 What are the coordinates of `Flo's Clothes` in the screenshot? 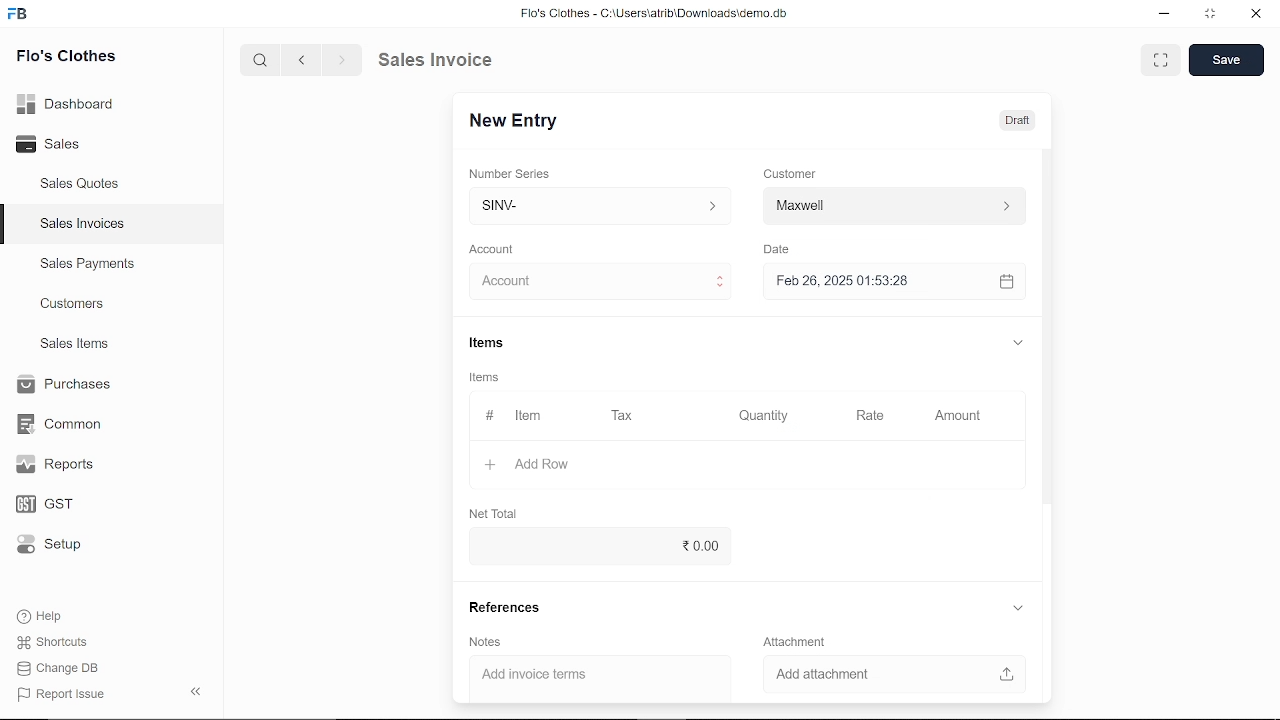 It's located at (66, 58).